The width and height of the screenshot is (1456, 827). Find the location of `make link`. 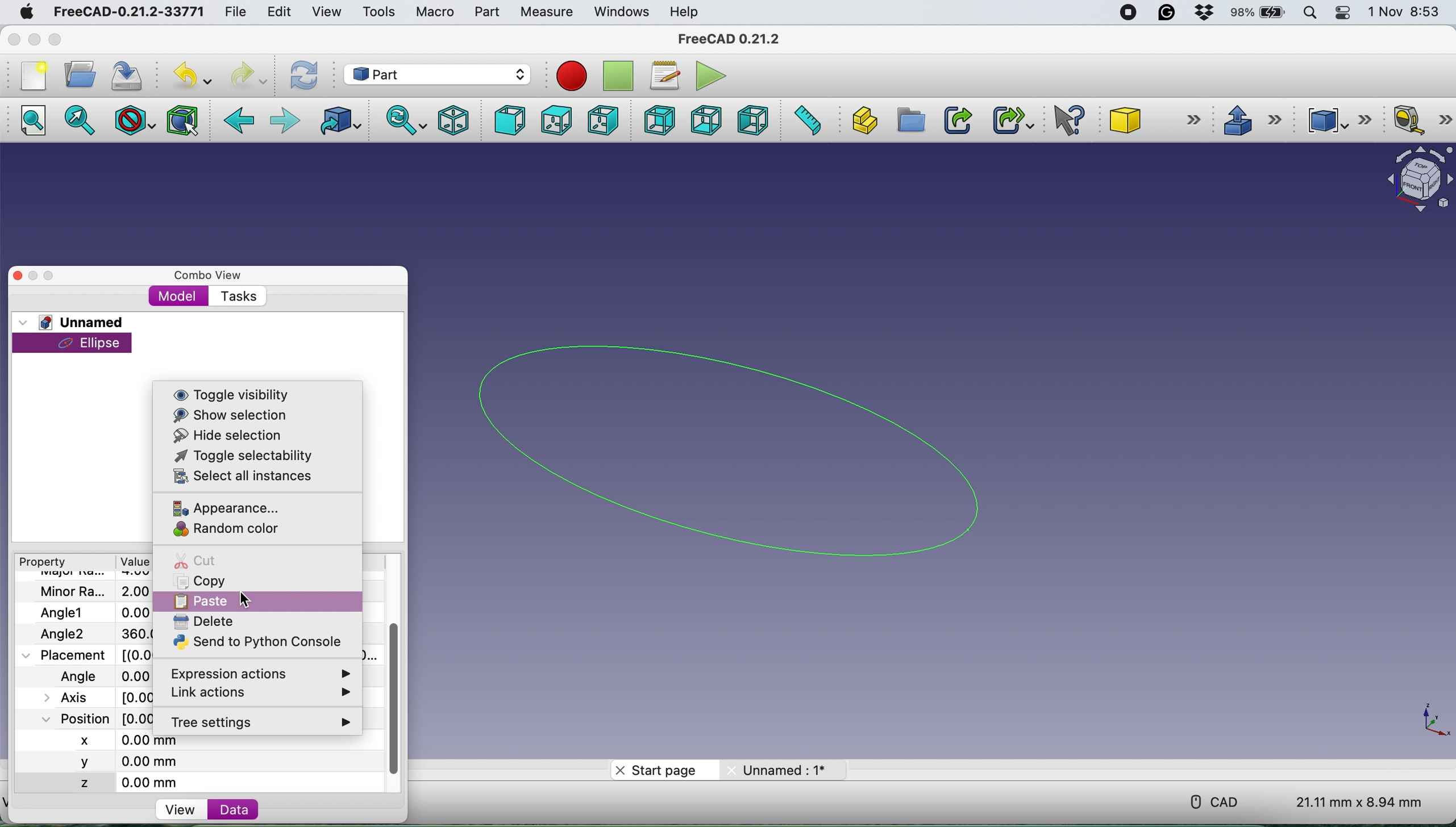

make link is located at coordinates (955, 120).